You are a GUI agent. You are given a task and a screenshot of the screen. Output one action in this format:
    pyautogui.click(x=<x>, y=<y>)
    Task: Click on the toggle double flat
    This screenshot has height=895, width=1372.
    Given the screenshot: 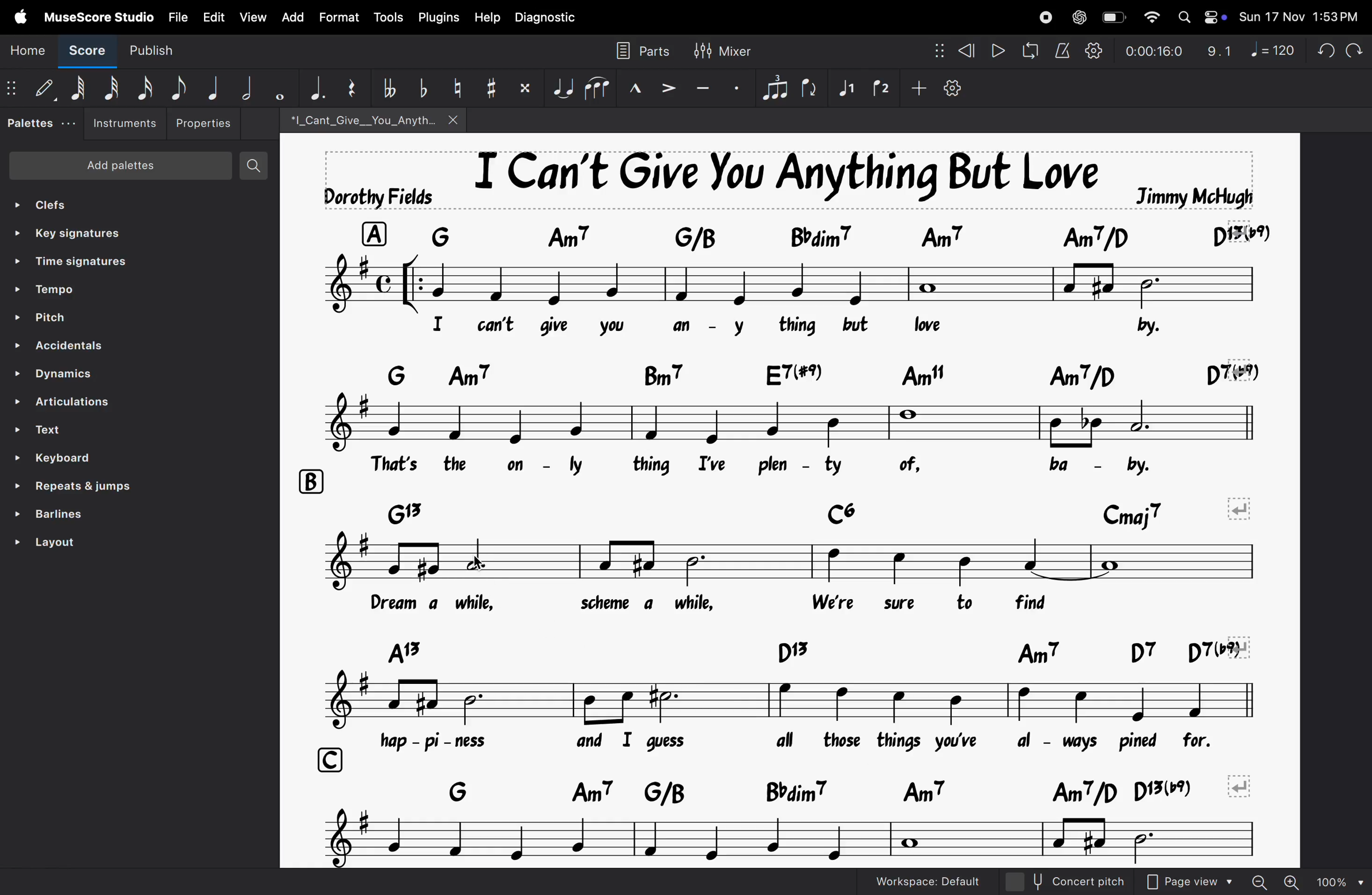 What is the action you would take?
    pyautogui.click(x=388, y=88)
    